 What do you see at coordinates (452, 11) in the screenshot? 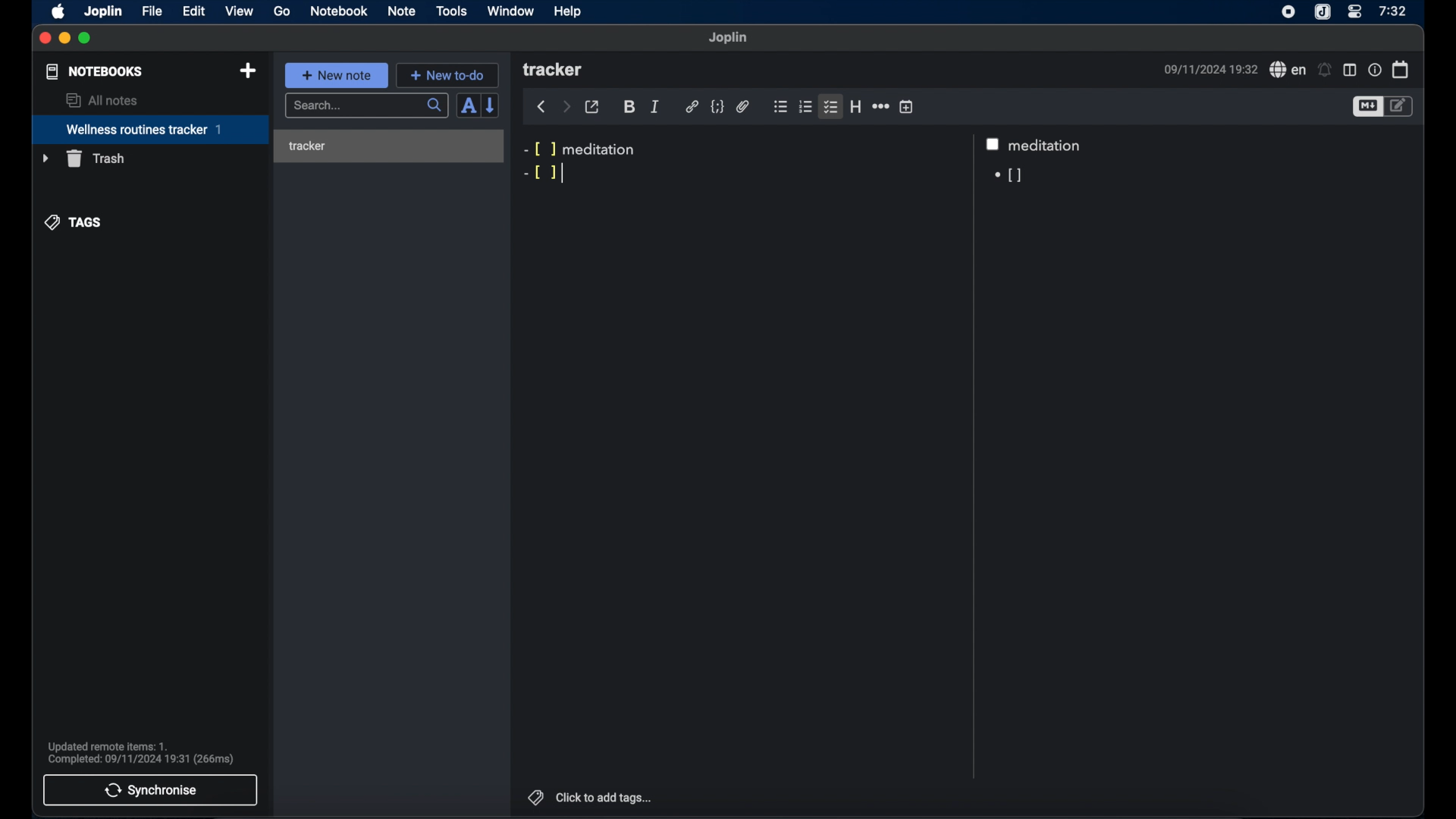
I see `tools` at bounding box center [452, 11].